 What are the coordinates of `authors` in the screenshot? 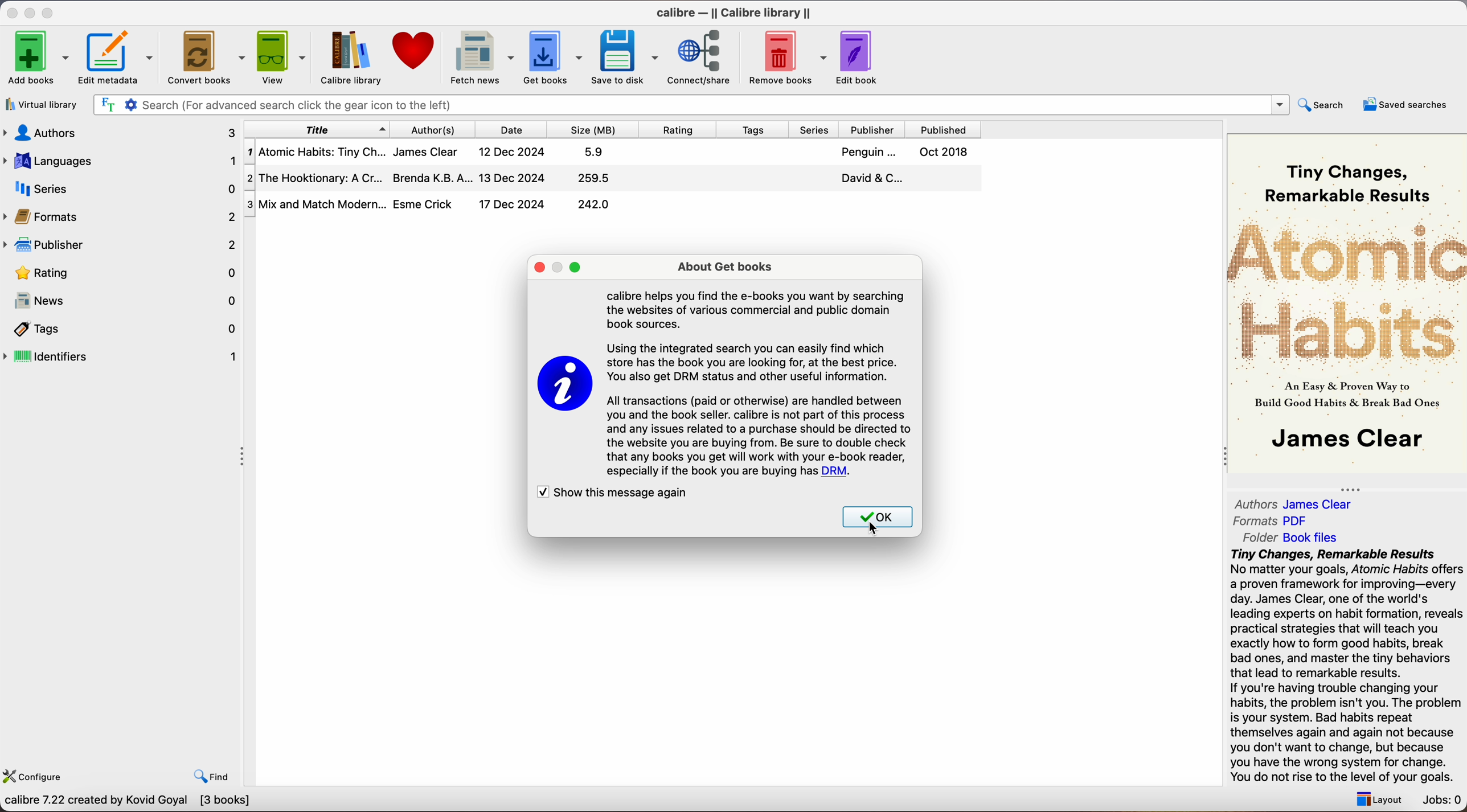 It's located at (118, 132).